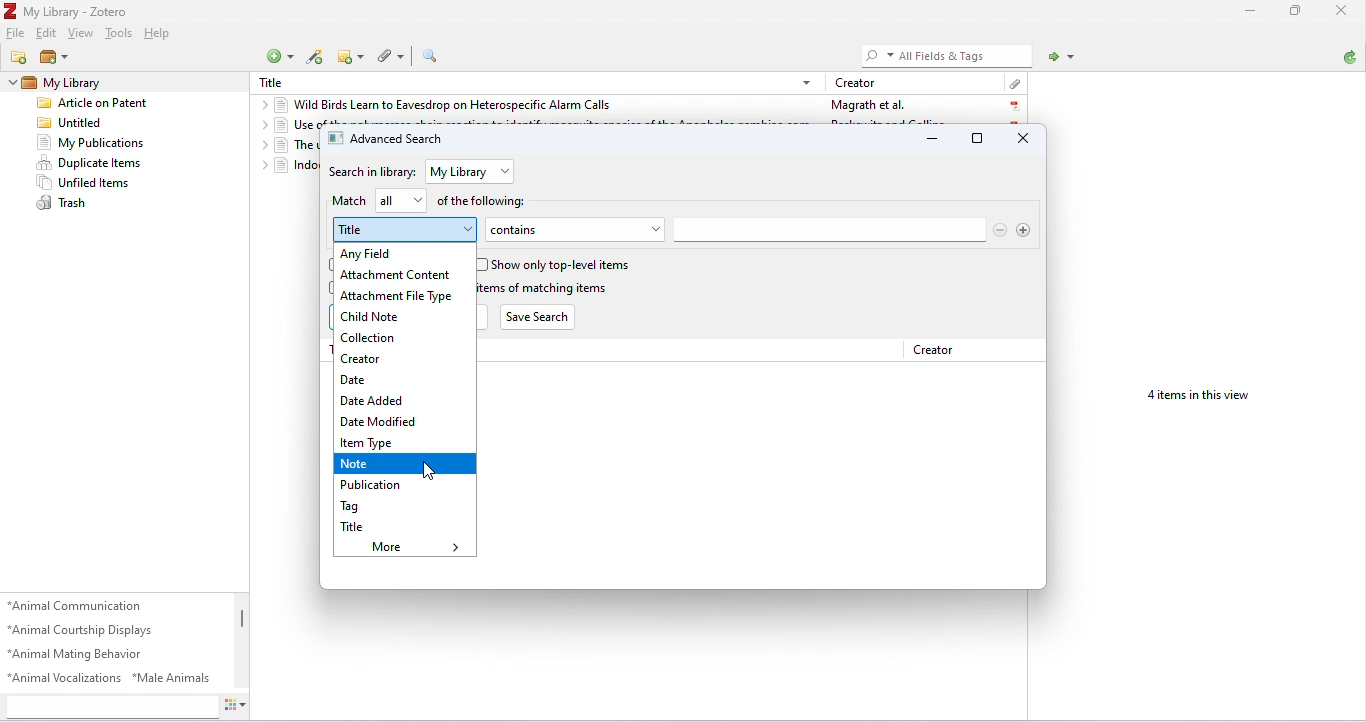 This screenshot has width=1366, height=722. What do you see at coordinates (45, 32) in the screenshot?
I see `edit` at bounding box center [45, 32].